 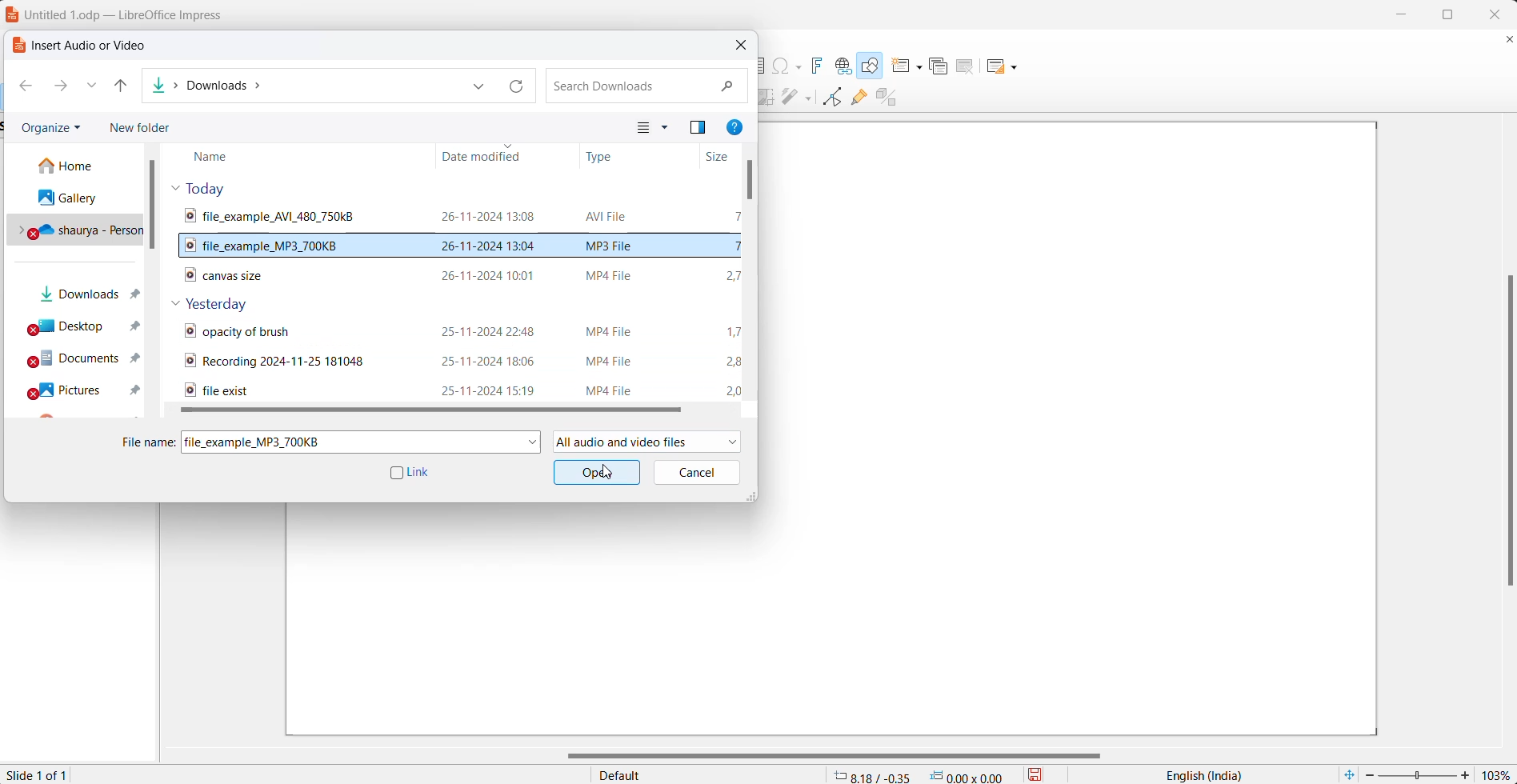 What do you see at coordinates (1494, 14) in the screenshot?
I see `close` at bounding box center [1494, 14].